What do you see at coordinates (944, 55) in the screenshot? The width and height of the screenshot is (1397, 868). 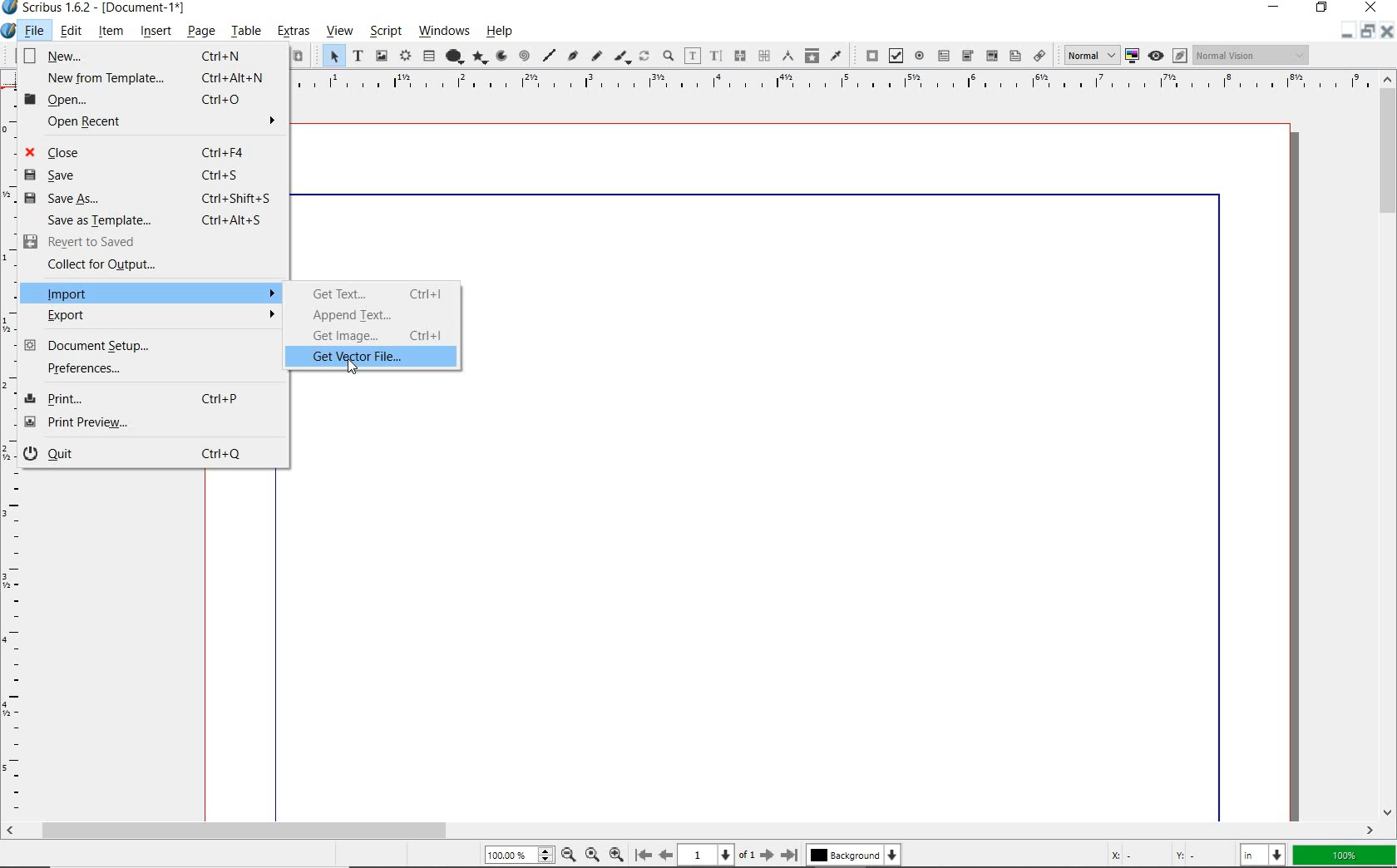 I see `pdf text field` at bounding box center [944, 55].